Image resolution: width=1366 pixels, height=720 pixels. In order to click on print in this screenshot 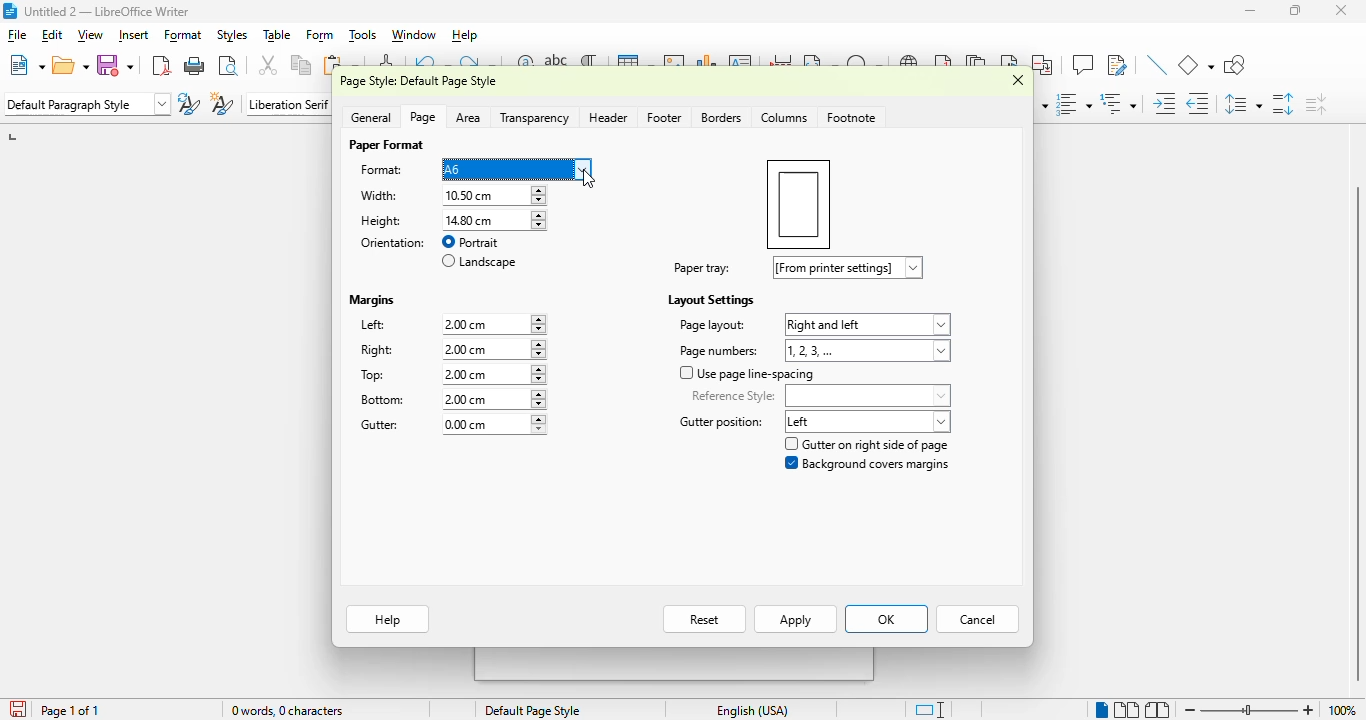, I will do `click(196, 66)`.